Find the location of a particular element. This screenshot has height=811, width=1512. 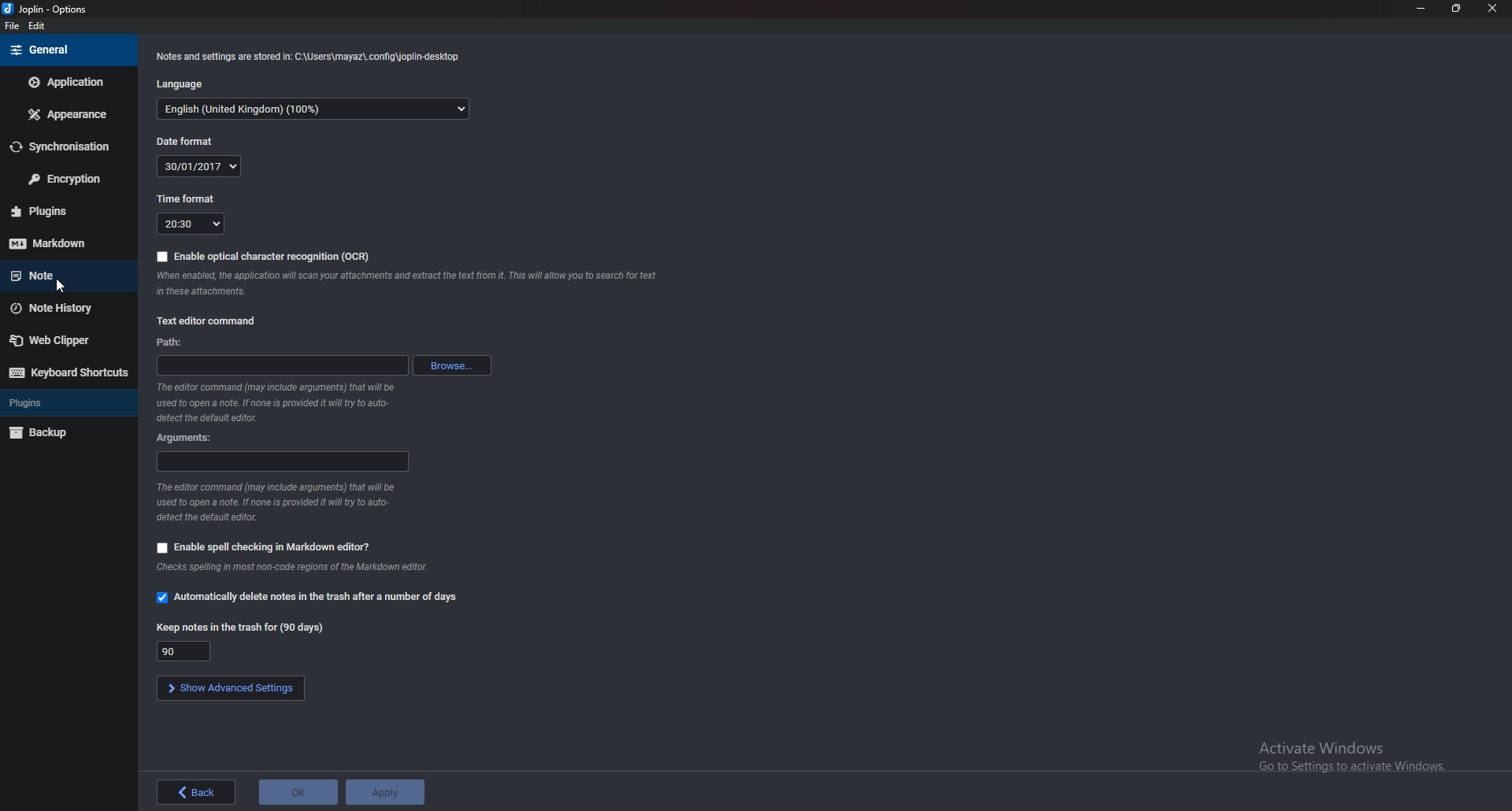

Enable O C R is located at coordinates (265, 255).